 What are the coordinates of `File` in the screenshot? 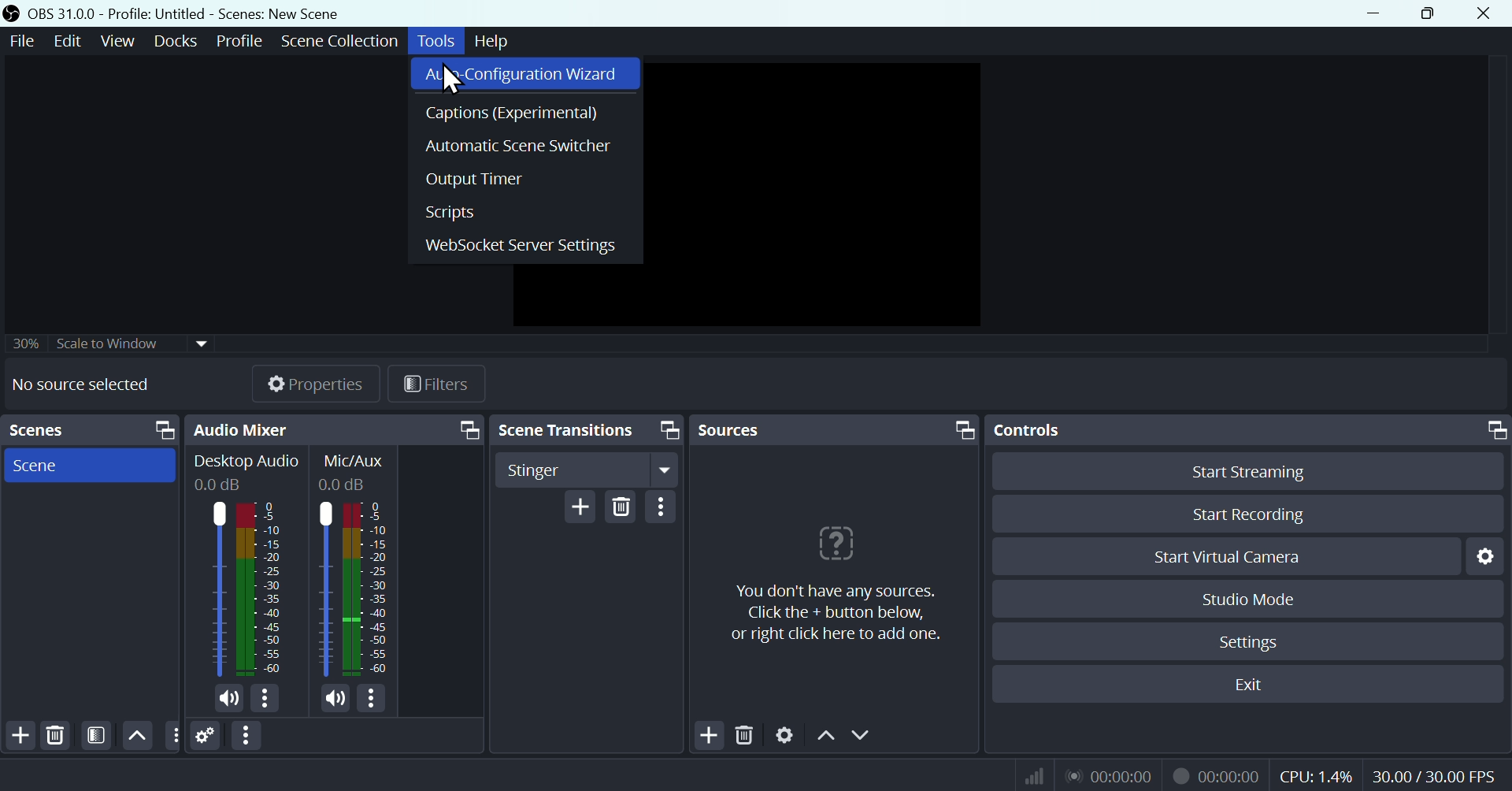 It's located at (24, 41).